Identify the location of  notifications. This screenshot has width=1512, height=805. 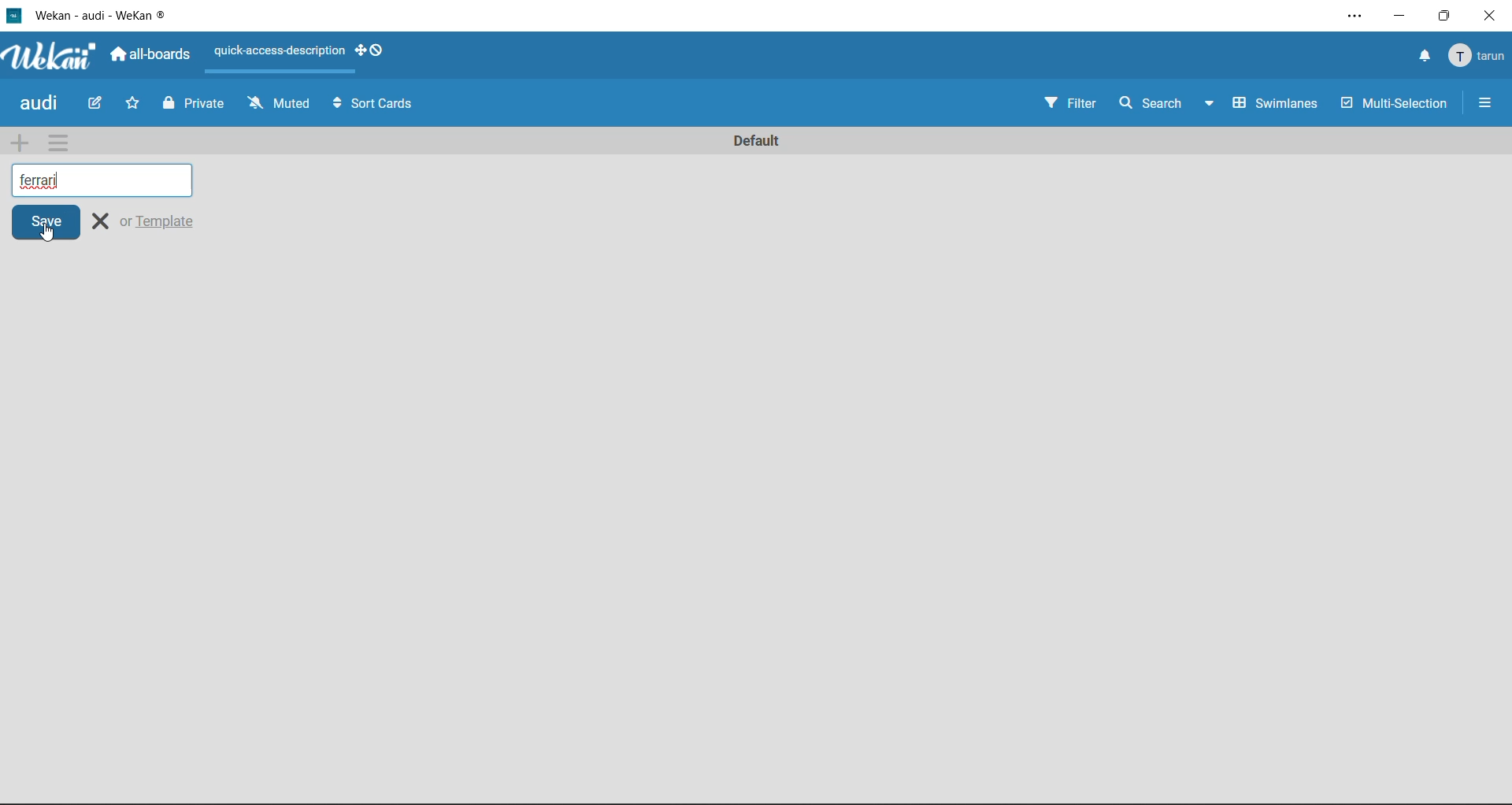
(1421, 57).